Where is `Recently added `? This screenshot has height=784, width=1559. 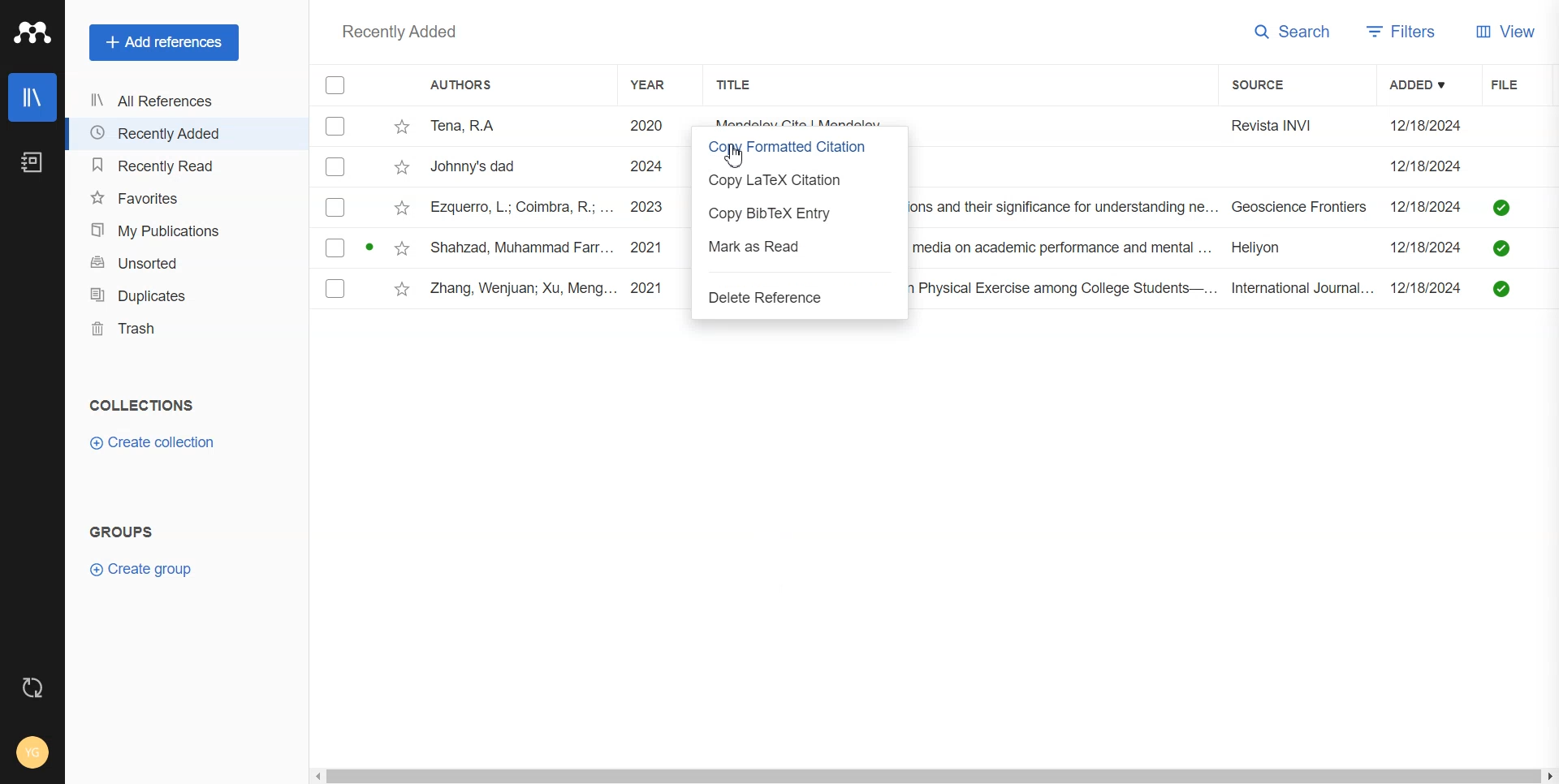 Recently added  is located at coordinates (401, 33).